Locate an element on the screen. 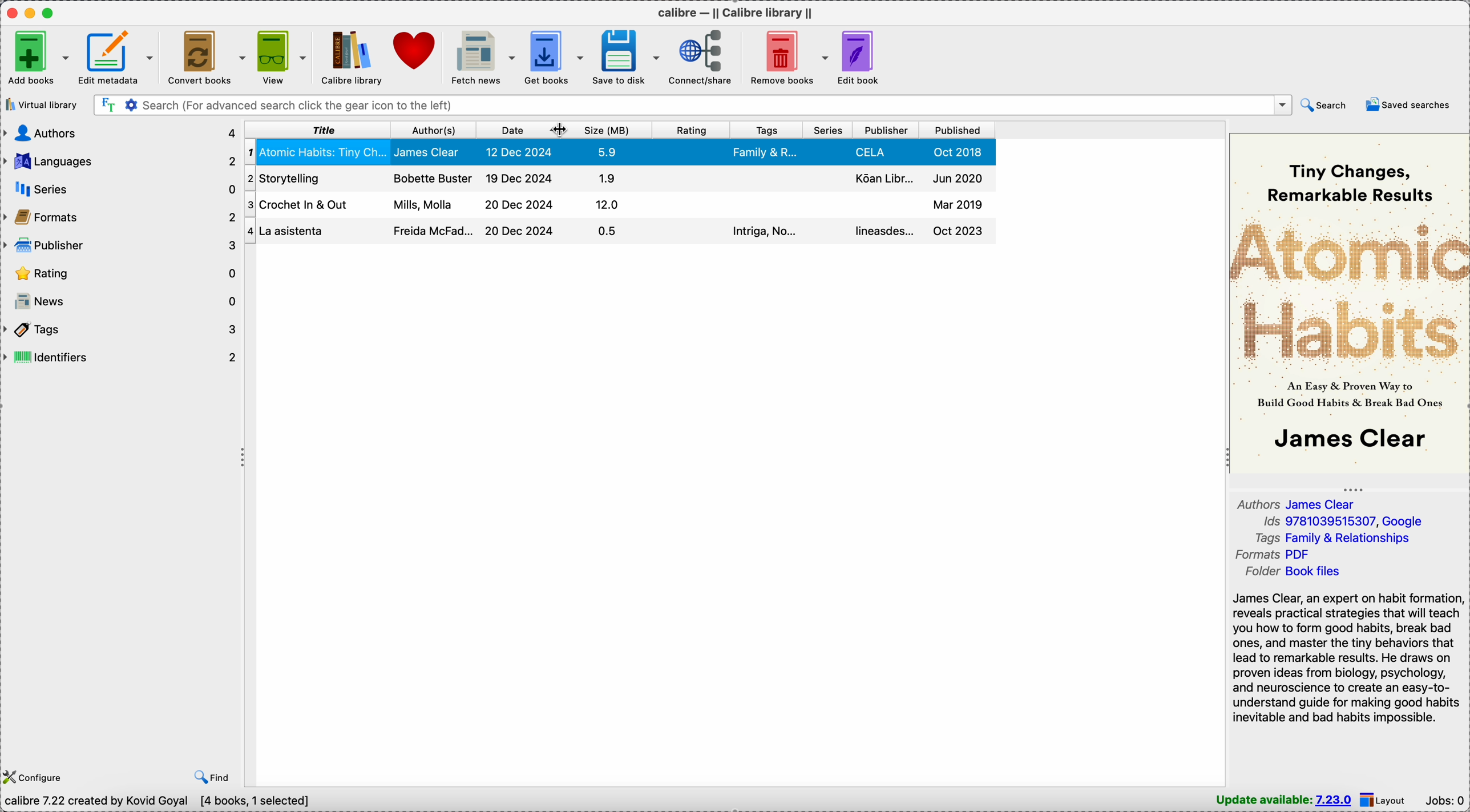 This screenshot has width=1470, height=812. connect/share is located at coordinates (705, 58).